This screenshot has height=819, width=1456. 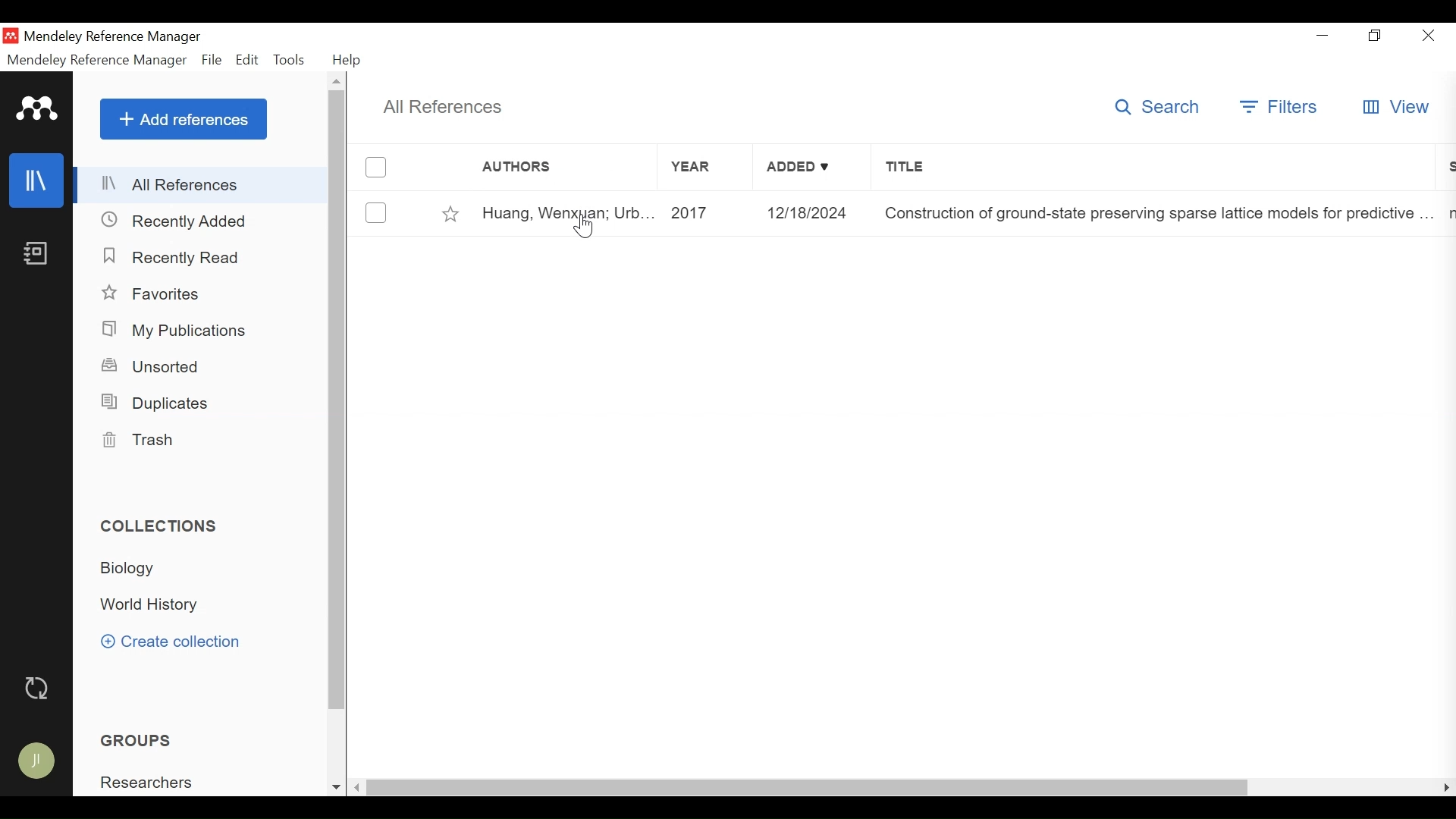 I want to click on Scroll down, so click(x=334, y=787).